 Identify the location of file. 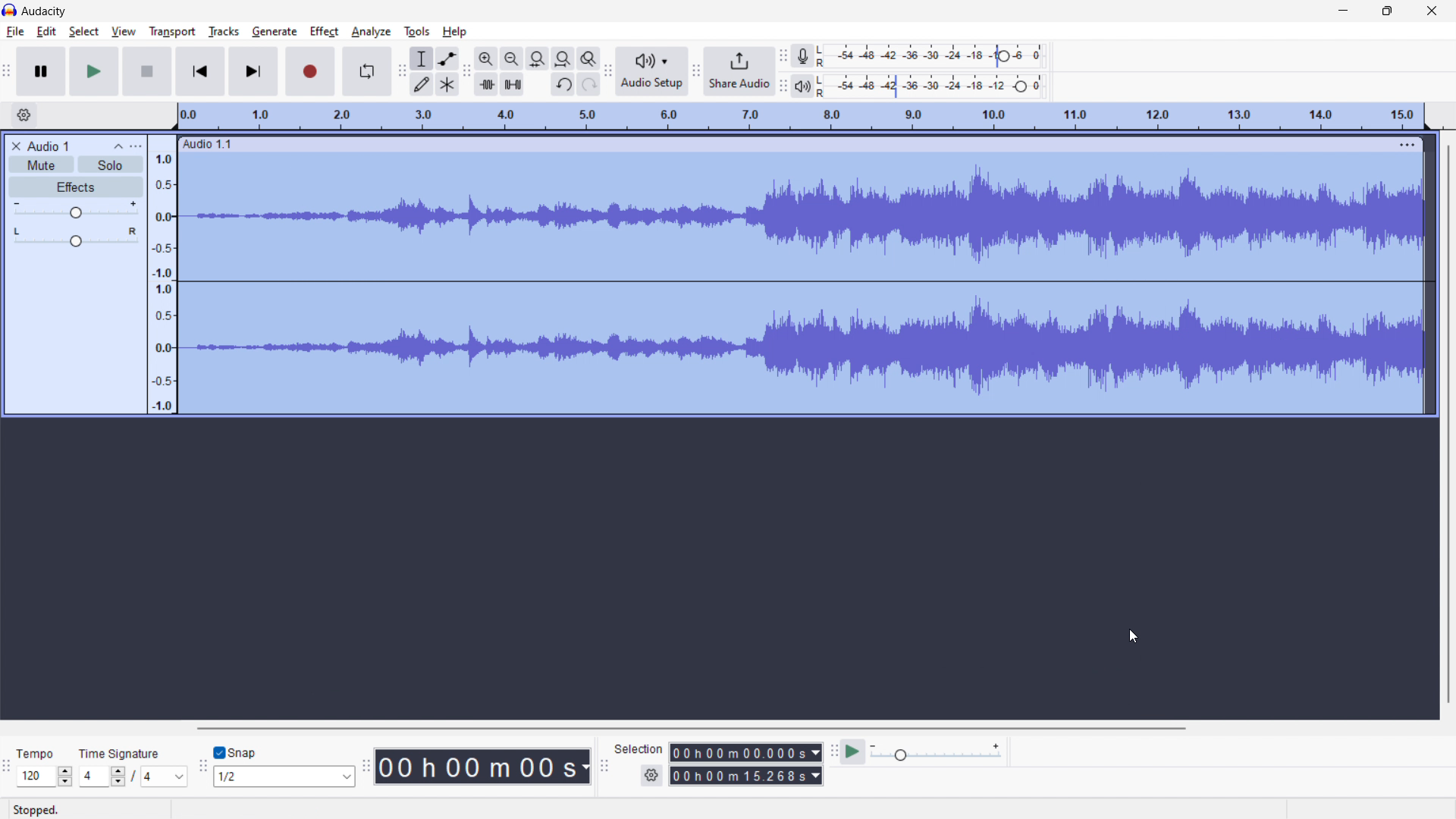
(16, 32).